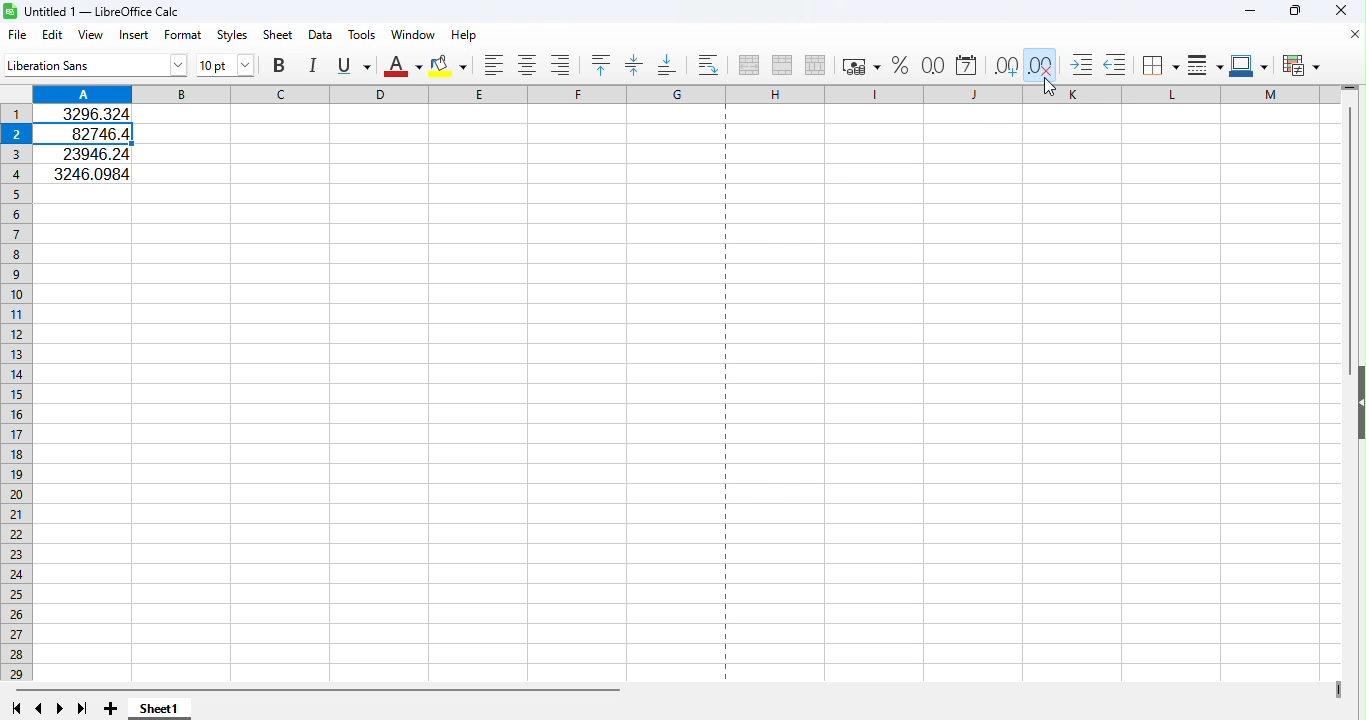 The width and height of the screenshot is (1366, 720). I want to click on Help, so click(465, 35).